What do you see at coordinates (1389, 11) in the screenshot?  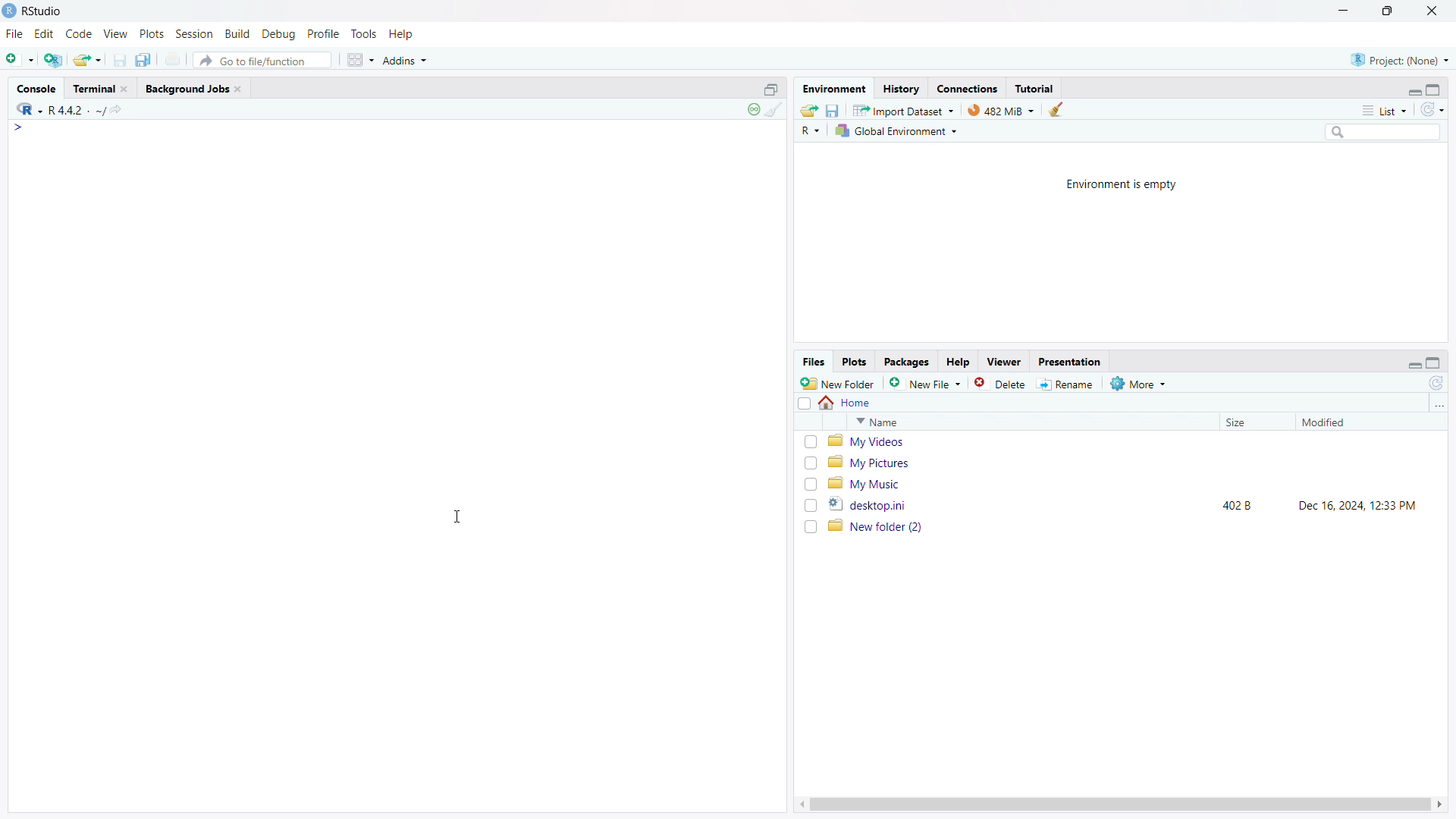 I see `maximize` at bounding box center [1389, 11].